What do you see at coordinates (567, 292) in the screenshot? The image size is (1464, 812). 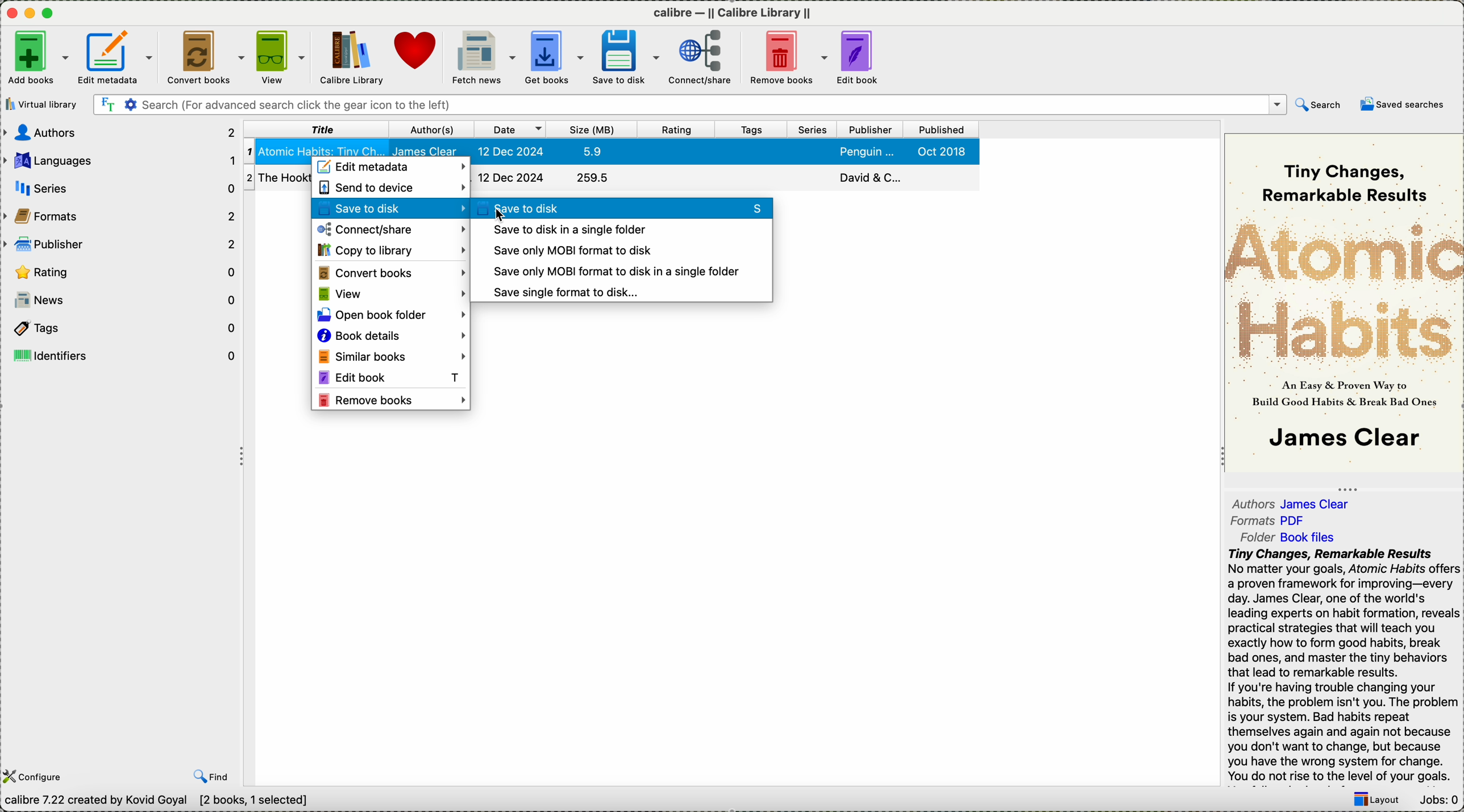 I see `save single format to disk` at bounding box center [567, 292].